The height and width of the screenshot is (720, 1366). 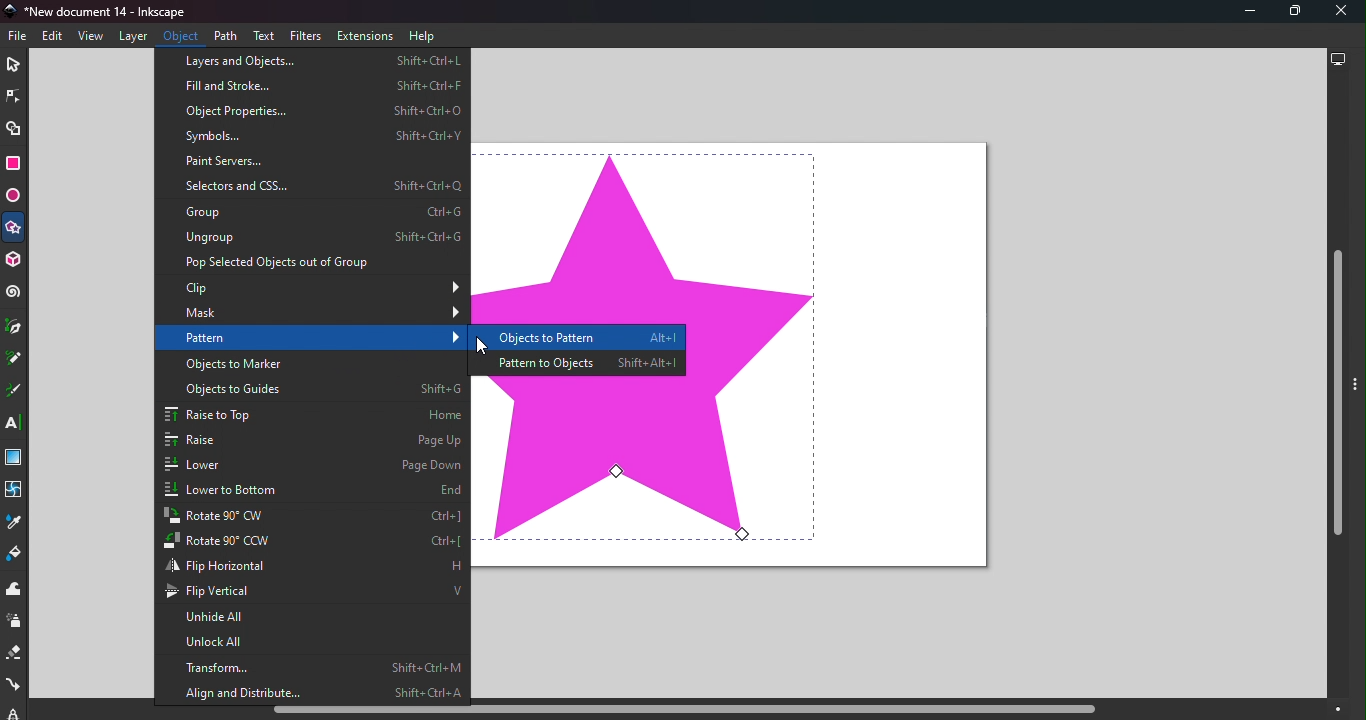 What do you see at coordinates (15, 424) in the screenshot?
I see `Text tool` at bounding box center [15, 424].